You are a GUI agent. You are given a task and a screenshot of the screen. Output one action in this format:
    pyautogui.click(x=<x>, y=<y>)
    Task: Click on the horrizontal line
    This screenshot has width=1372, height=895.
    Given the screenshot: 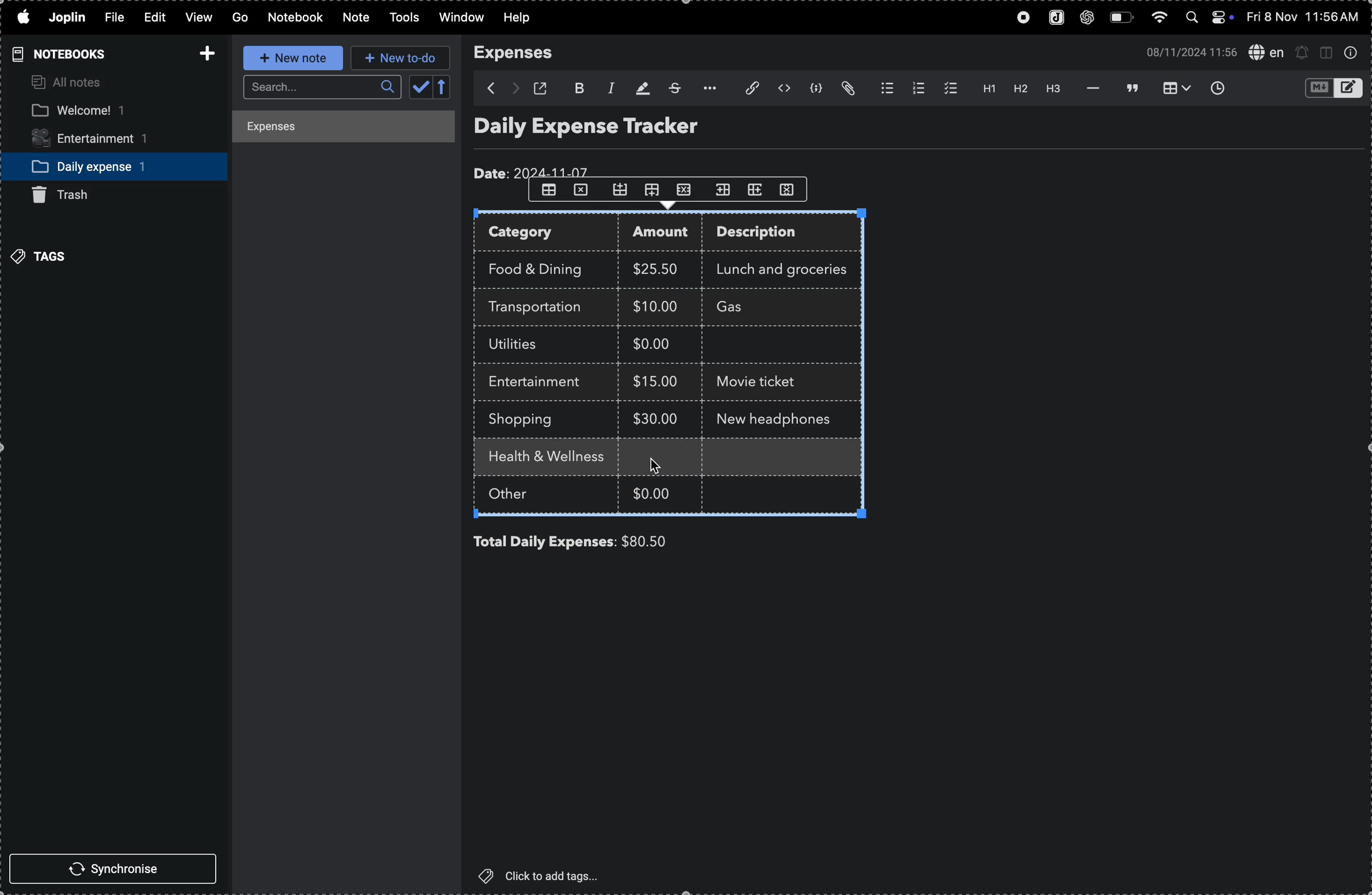 What is the action you would take?
    pyautogui.click(x=1090, y=88)
    